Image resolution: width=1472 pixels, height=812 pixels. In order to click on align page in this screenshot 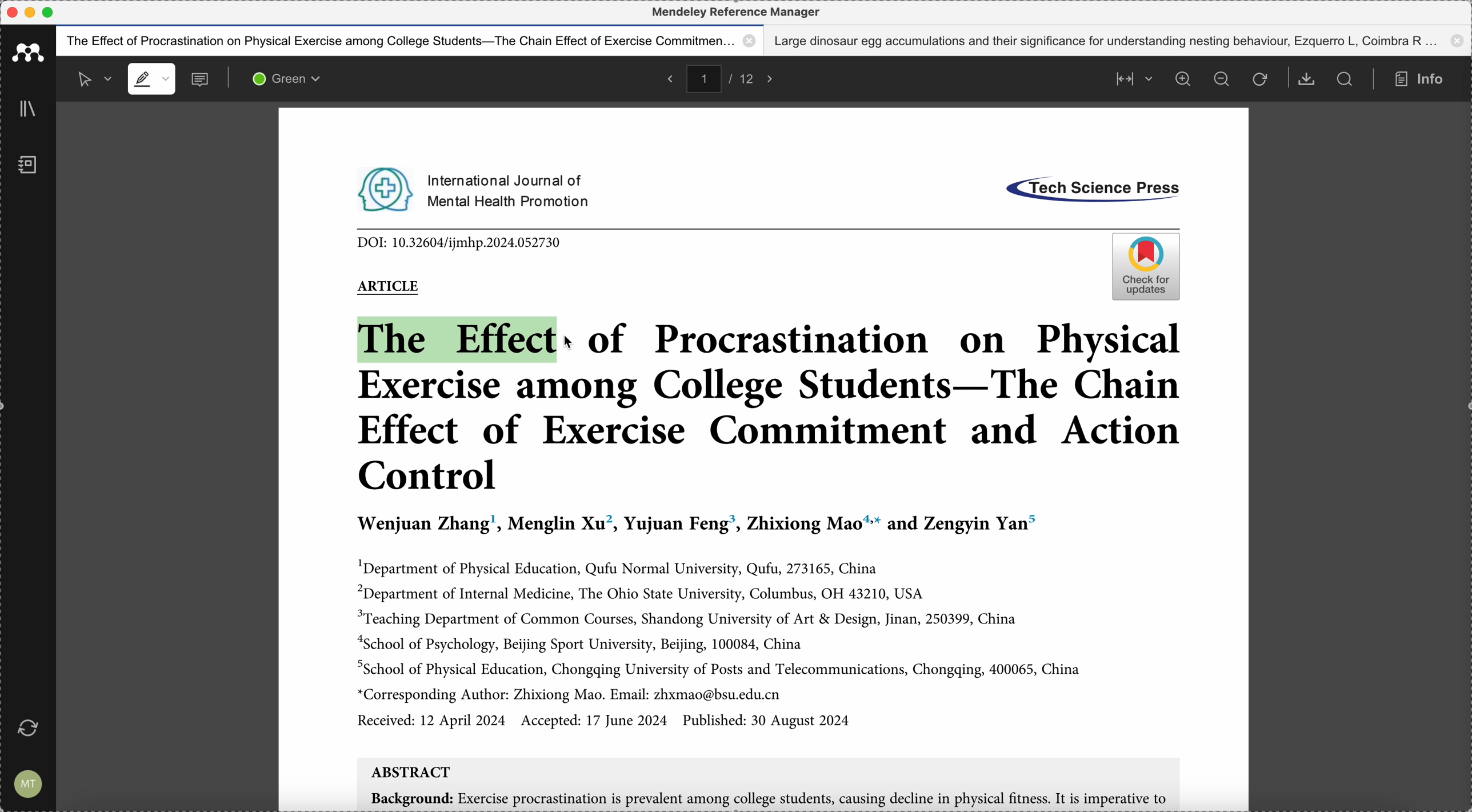, I will do `click(1131, 78)`.